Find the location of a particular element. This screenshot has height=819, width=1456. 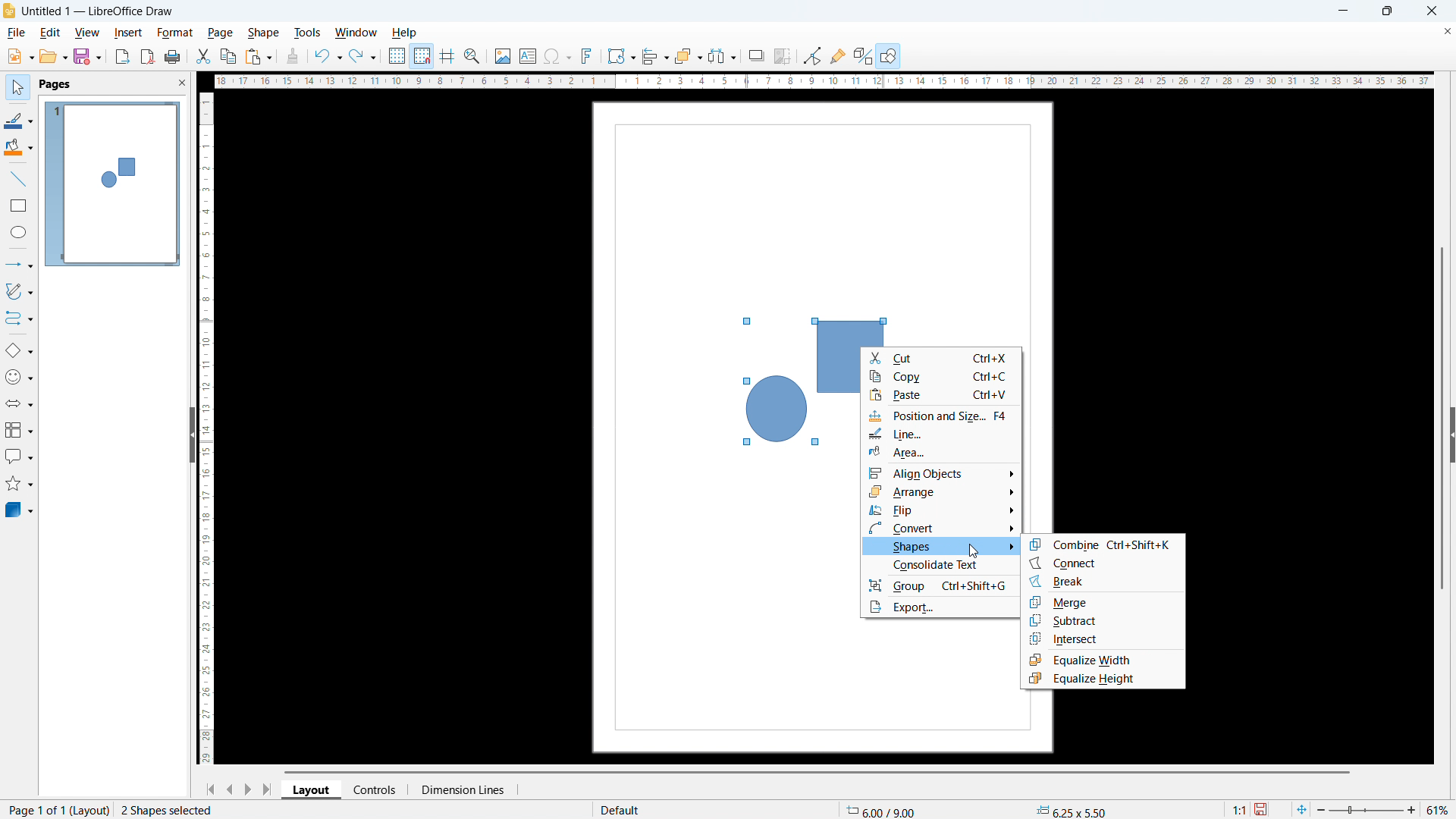

scaling factor is located at coordinates (1241, 809).